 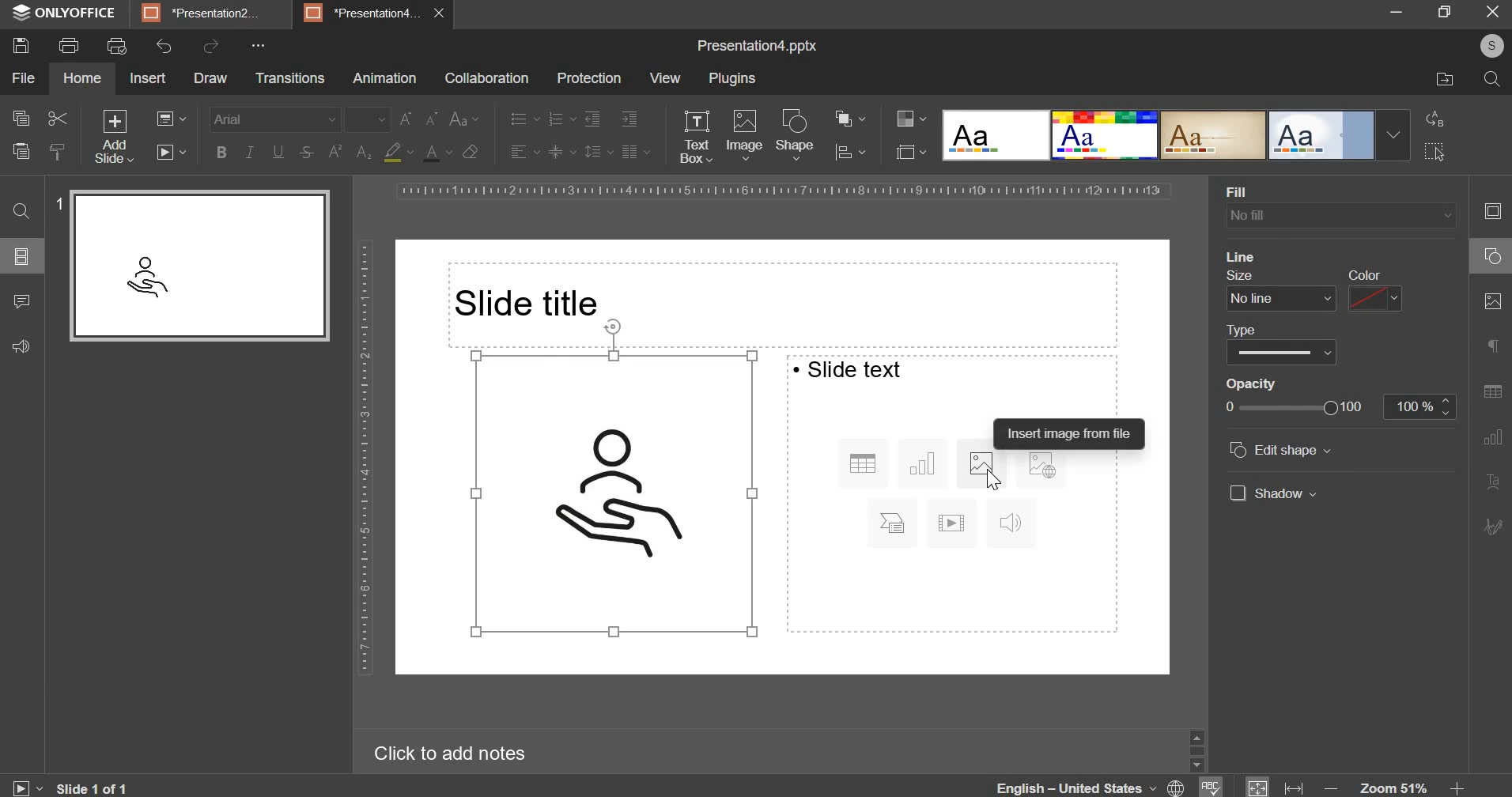 What do you see at coordinates (419, 118) in the screenshot?
I see `change font size` at bounding box center [419, 118].